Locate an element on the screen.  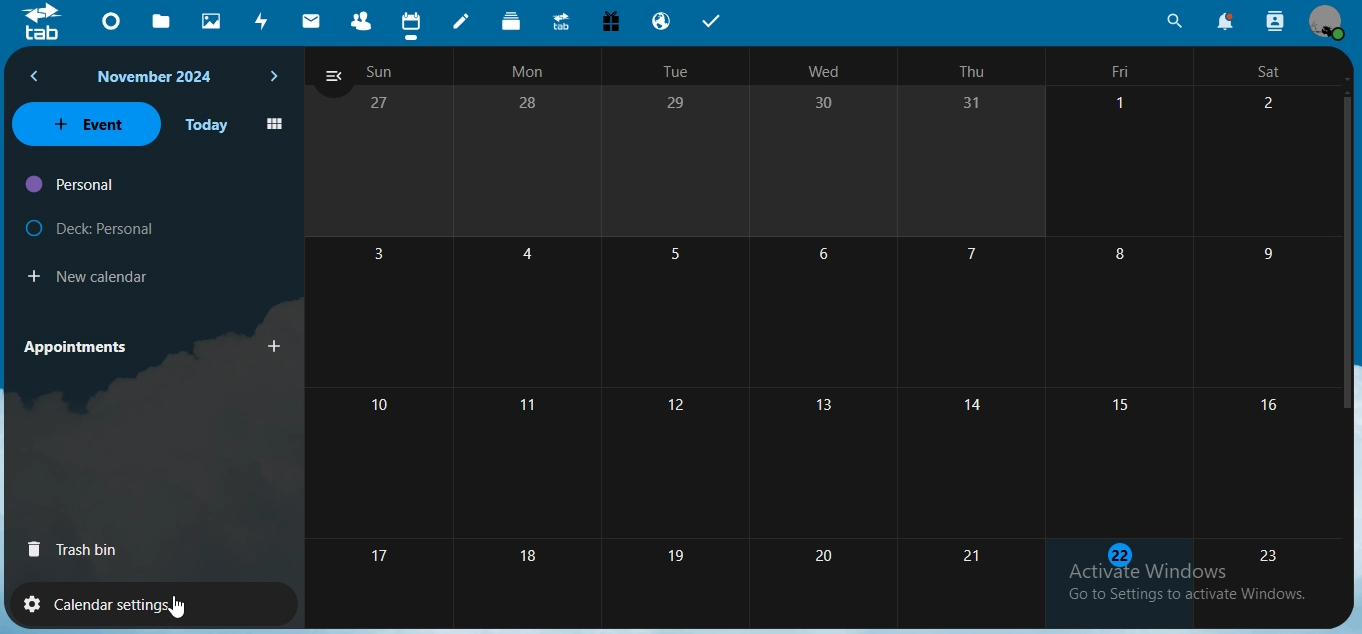
scrollbar is located at coordinates (1348, 250).